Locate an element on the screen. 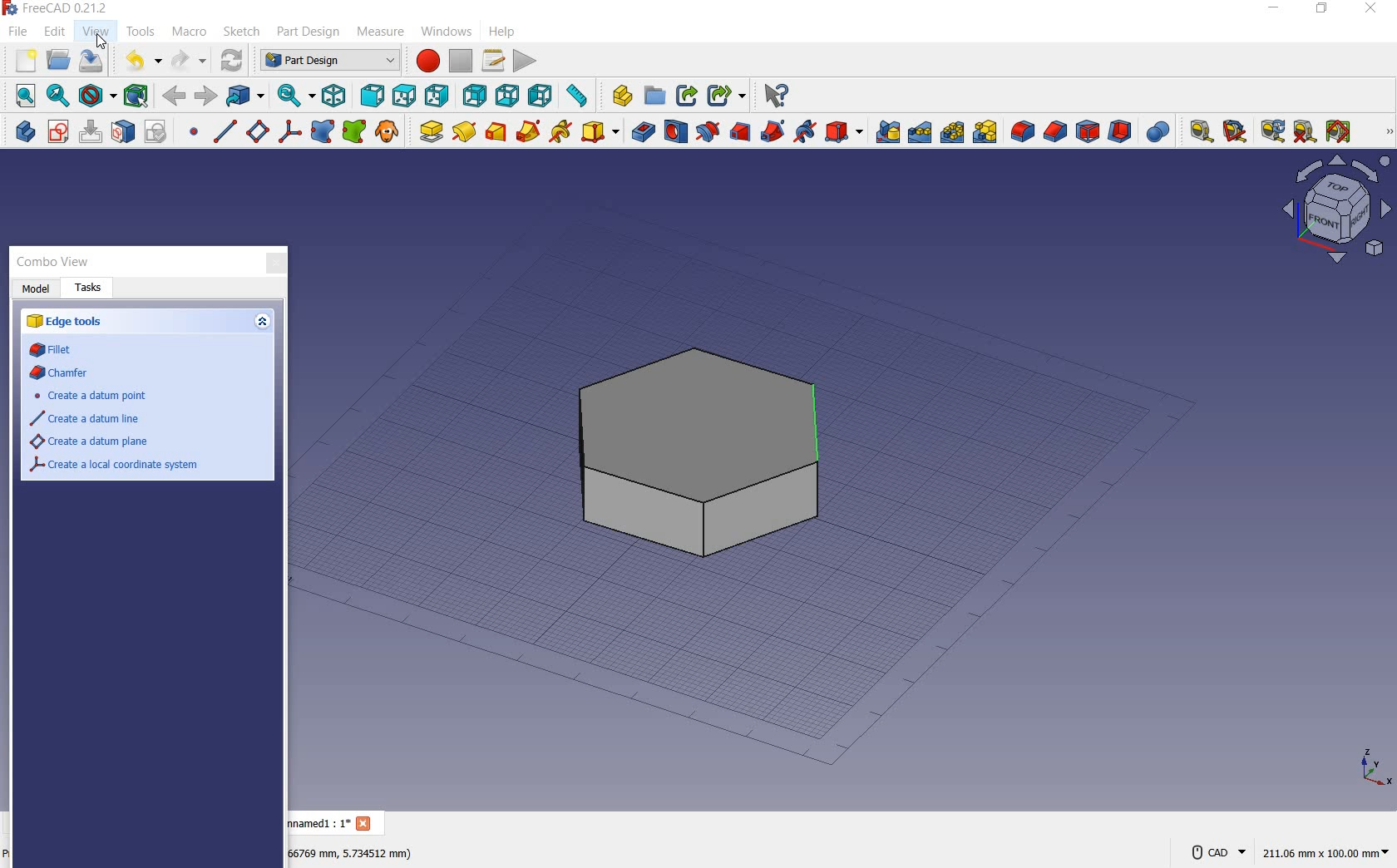 The image size is (1397, 868). tools is located at coordinates (142, 33).